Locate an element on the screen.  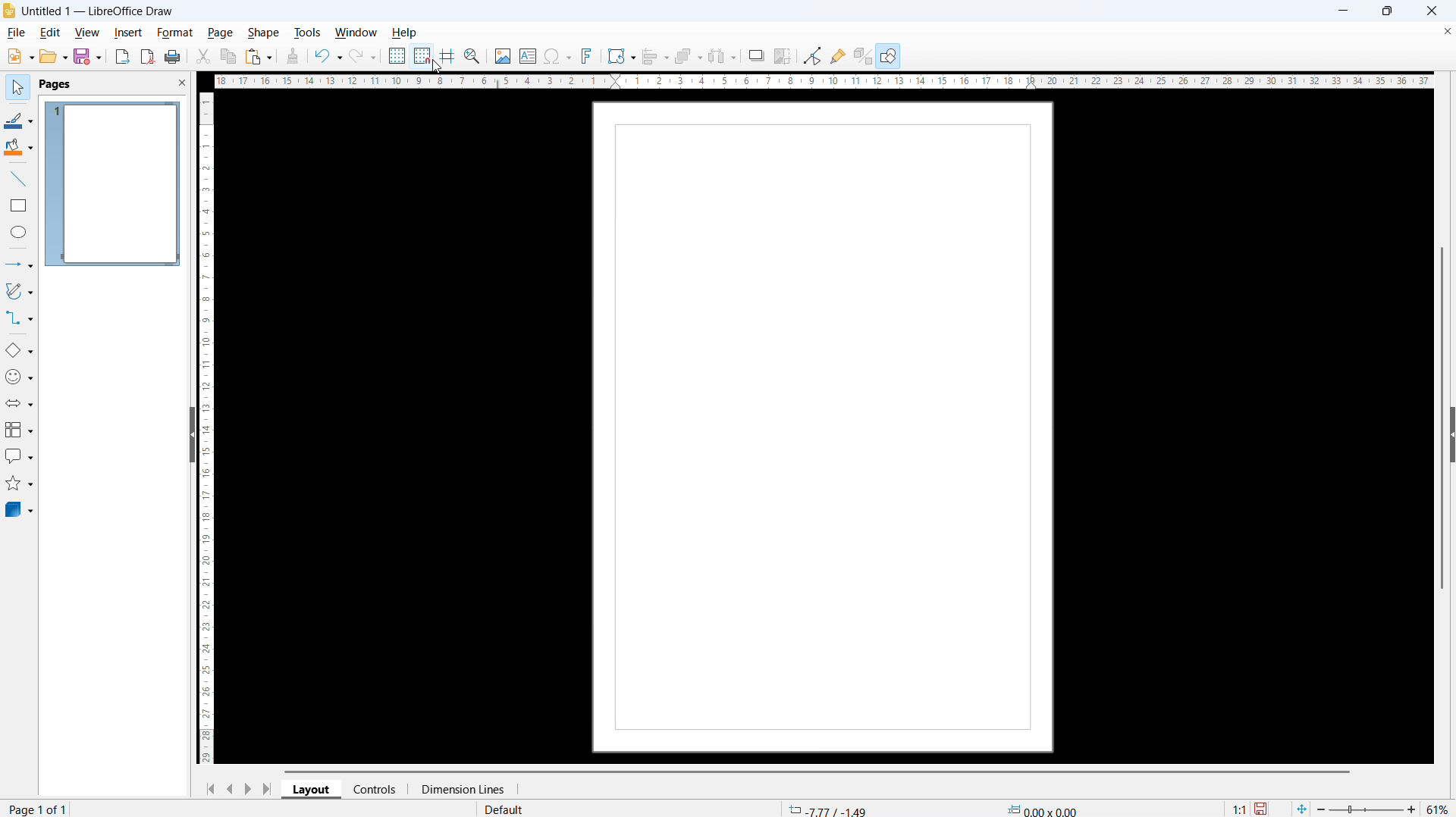
block arrows is located at coordinates (20, 403).